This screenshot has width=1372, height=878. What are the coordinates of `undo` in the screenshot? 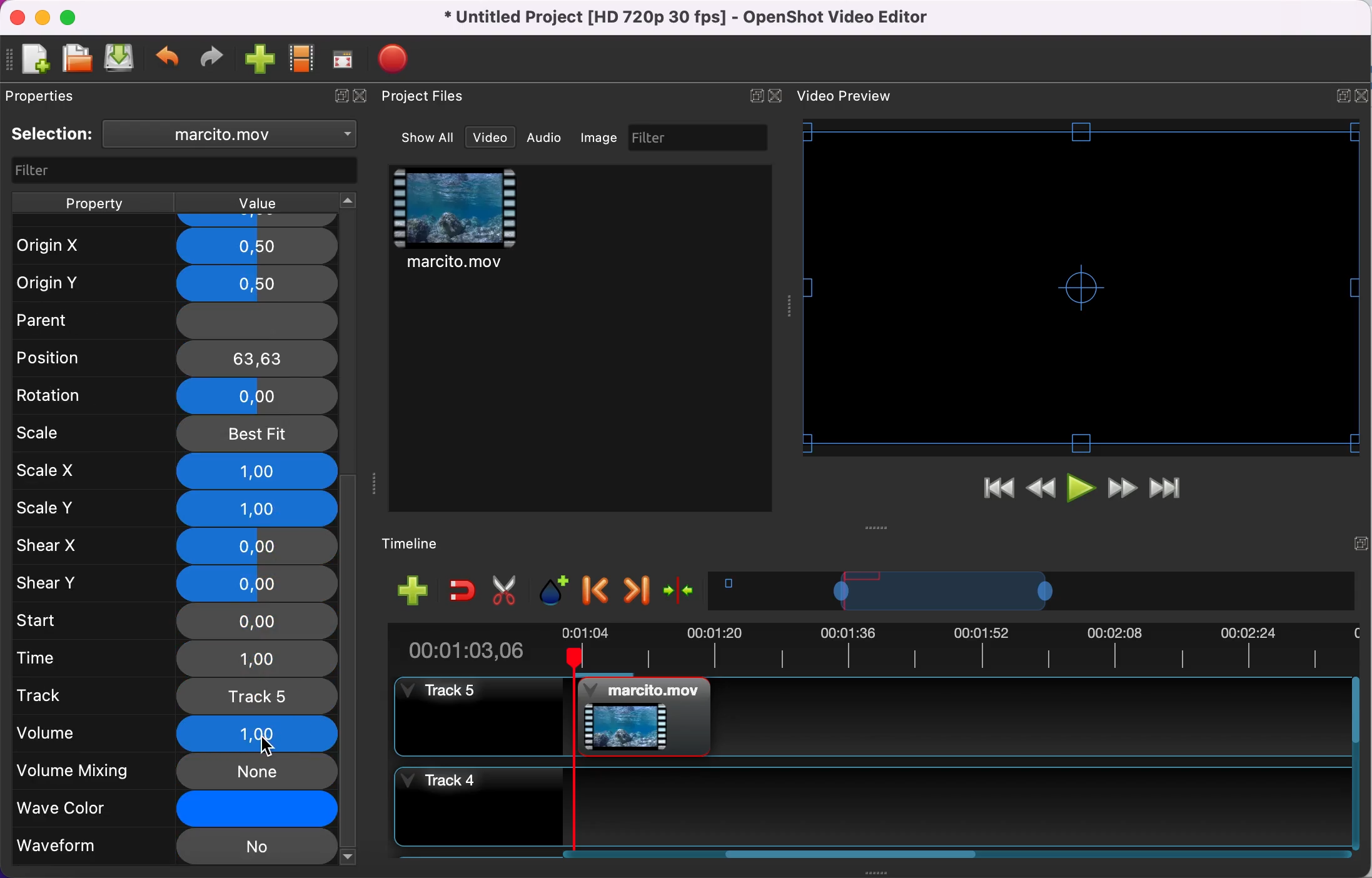 It's located at (169, 59).